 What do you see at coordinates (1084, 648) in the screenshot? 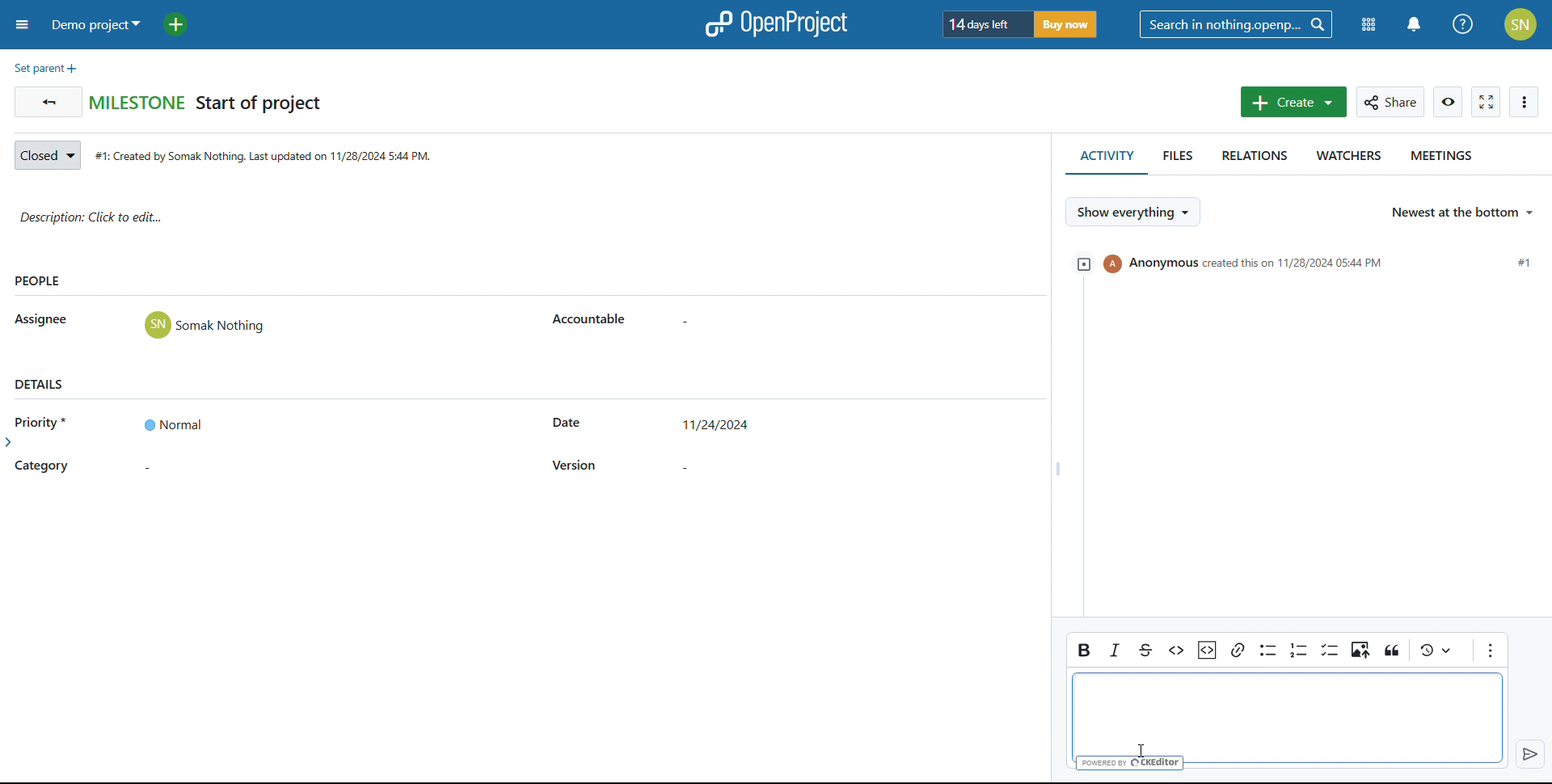
I see `bold` at bounding box center [1084, 648].